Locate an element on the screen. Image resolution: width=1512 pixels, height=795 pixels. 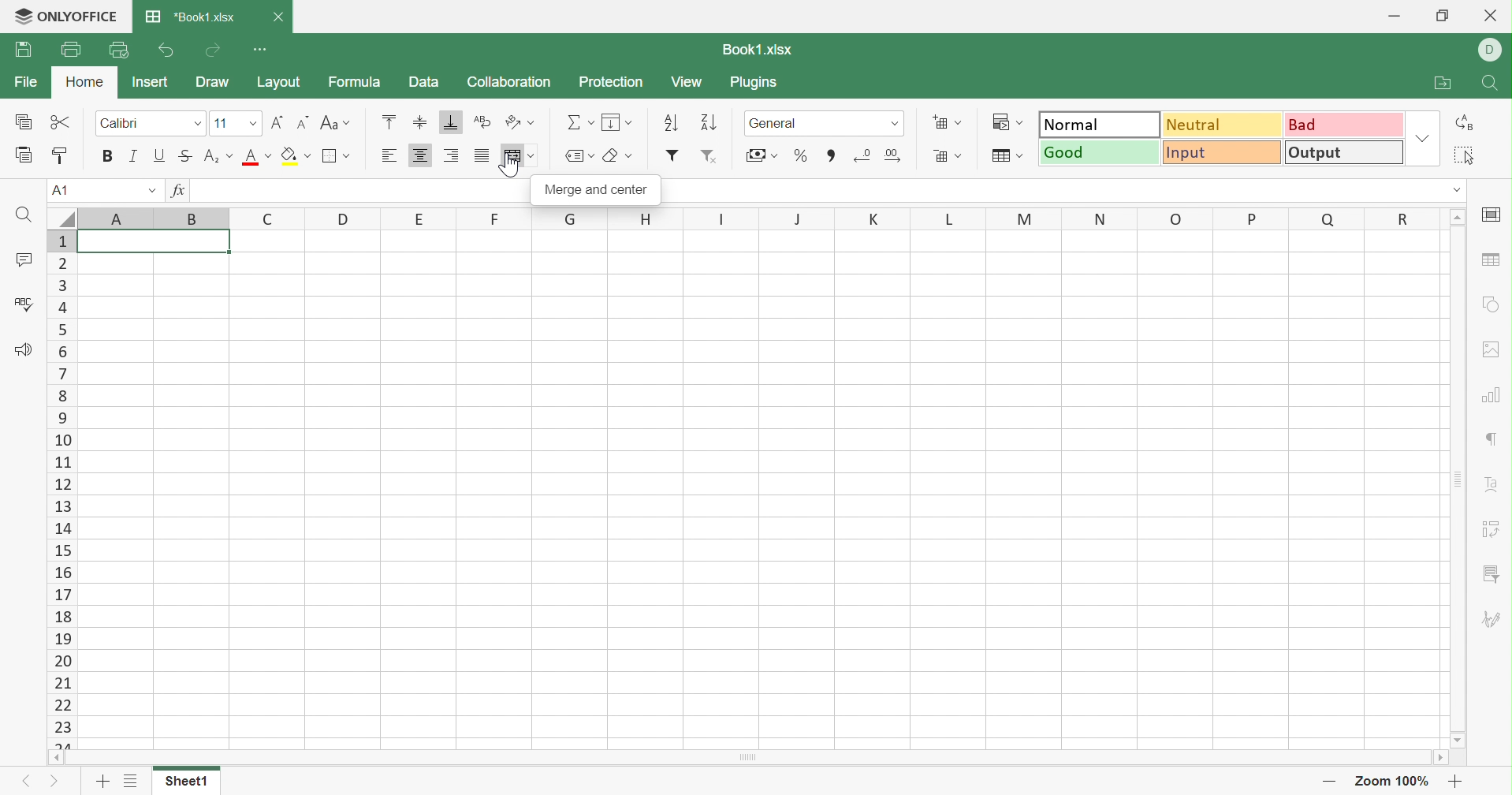
Named ranges is located at coordinates (579, 156).